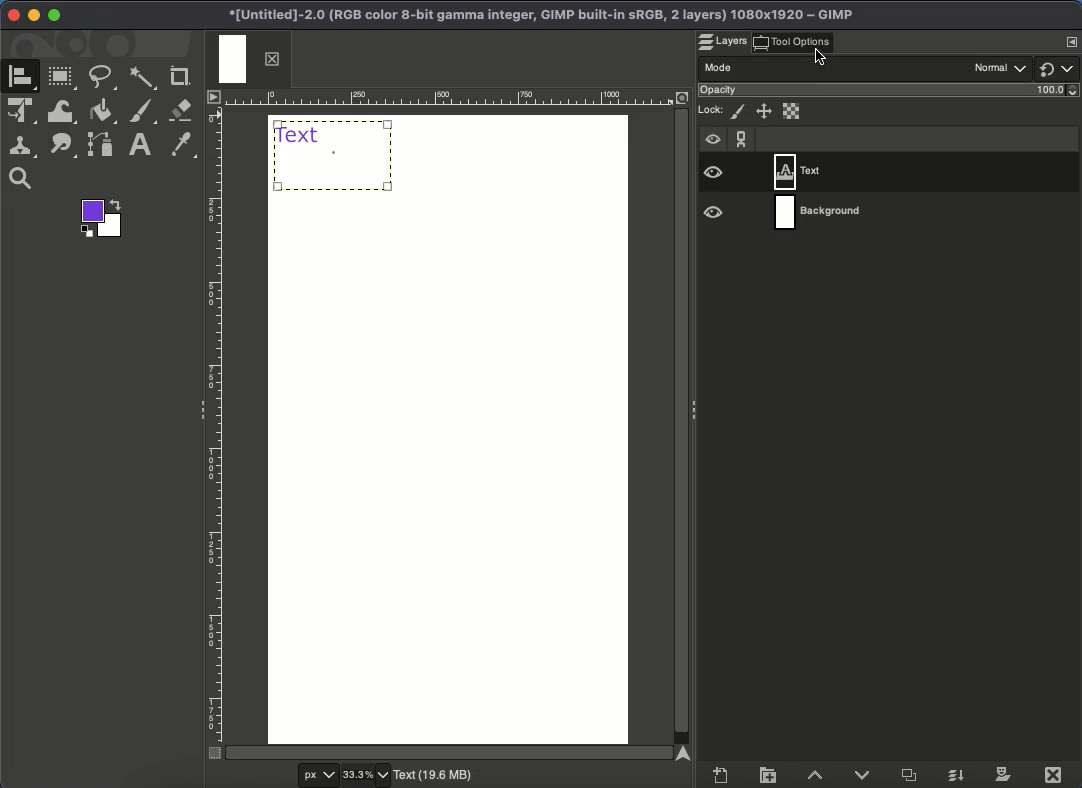 The height and width of the screenshot is (788, 1082). What do you see at coordinates (805, 41) in the screenshot?
I see `Click tool options` at bounding box center [805, 41].